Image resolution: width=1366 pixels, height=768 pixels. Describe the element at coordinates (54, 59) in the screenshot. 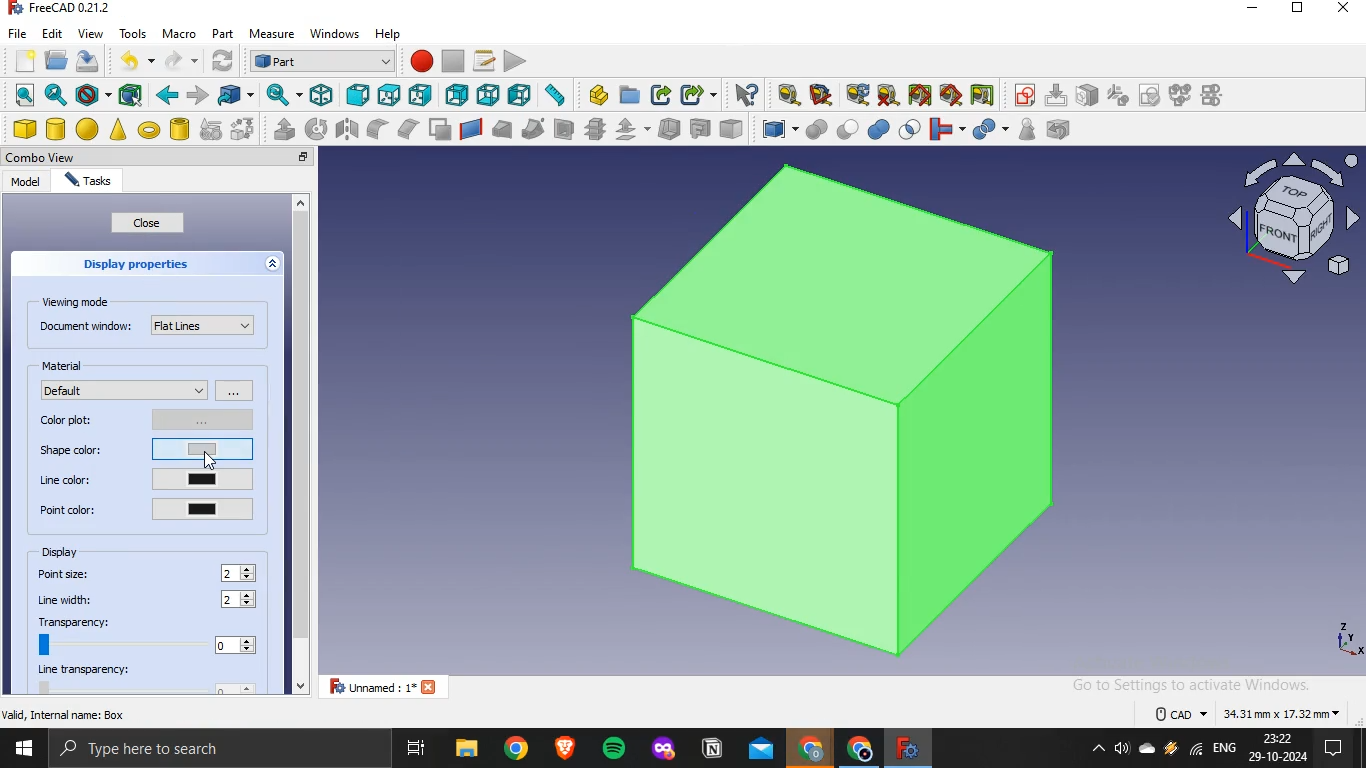

I see `open file` at that location.